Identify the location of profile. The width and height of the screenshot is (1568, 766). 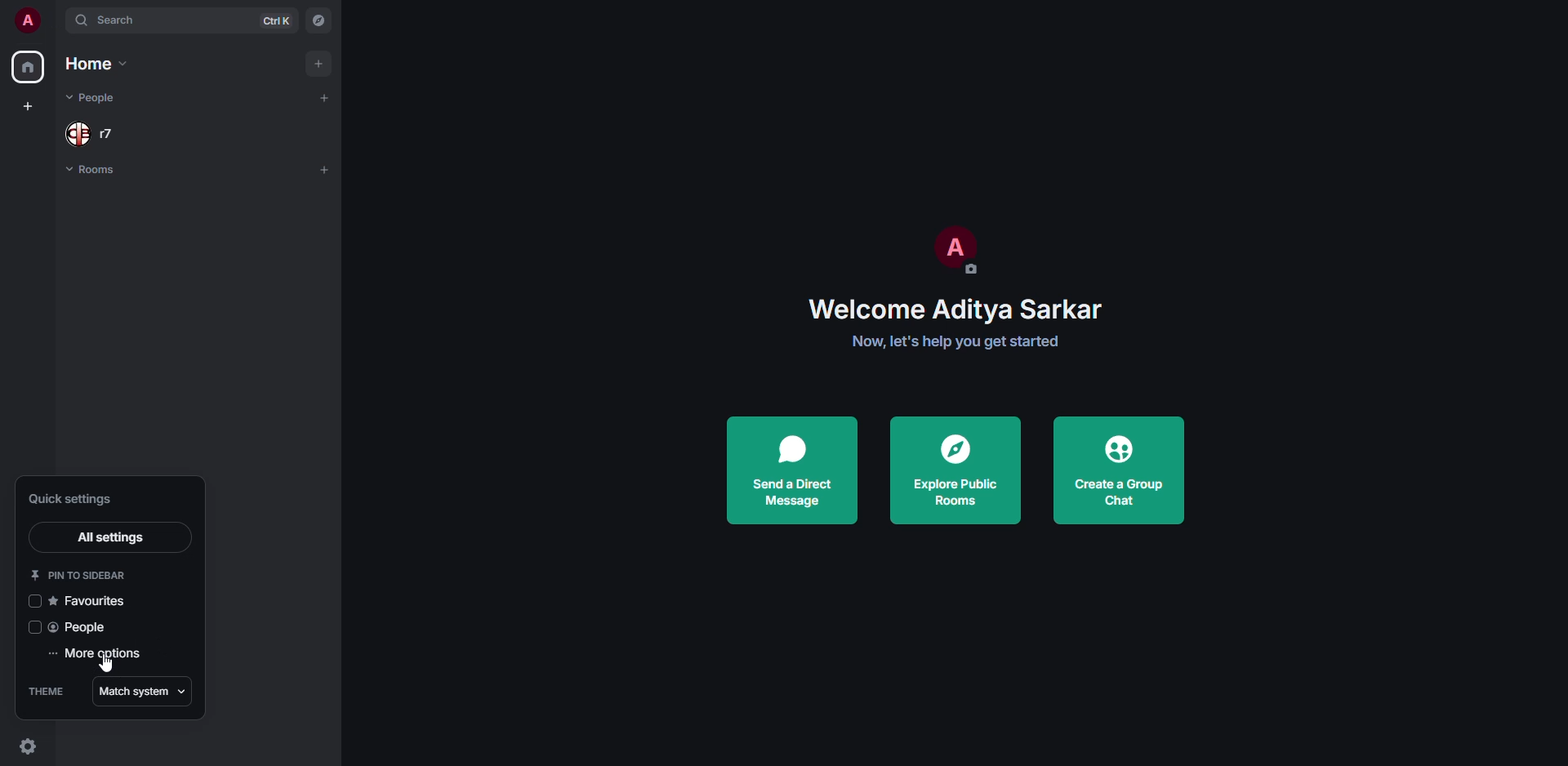
(26, 20).